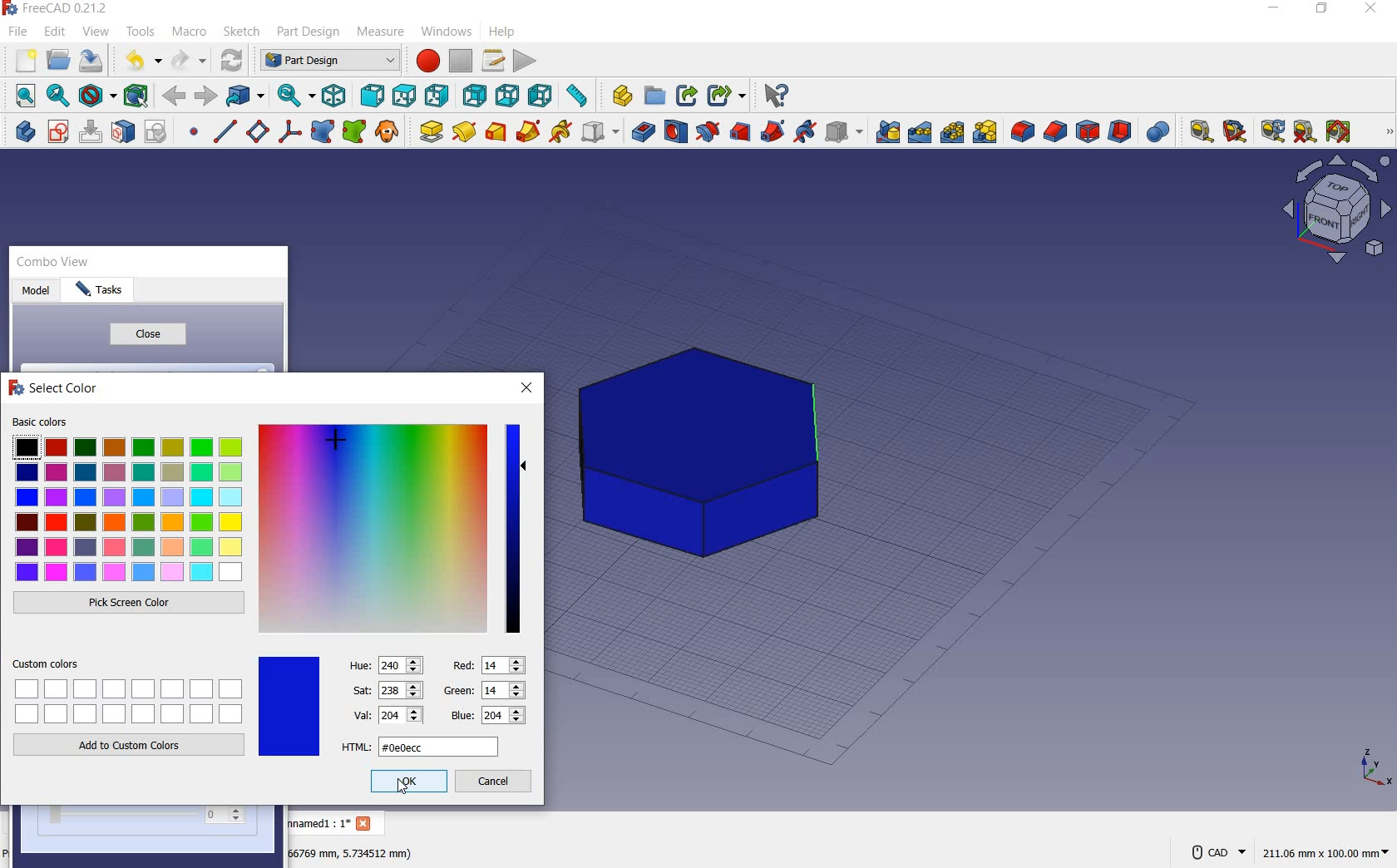 The height and width of the screenshot is (868, 1397). I want to click on measure distance, so click(580, 96).